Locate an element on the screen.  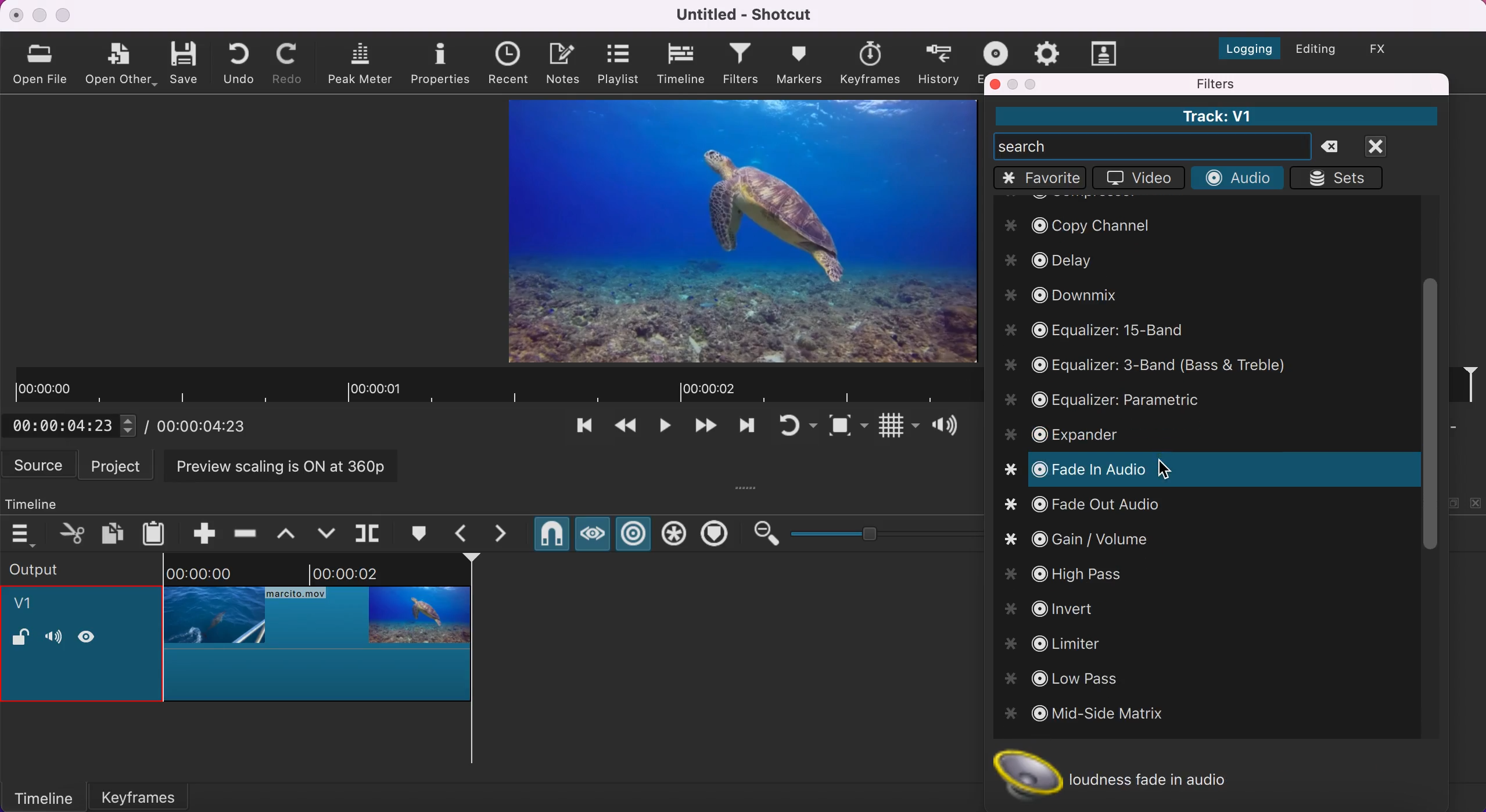
scrub while draggins is located at coordinates (591, 537).